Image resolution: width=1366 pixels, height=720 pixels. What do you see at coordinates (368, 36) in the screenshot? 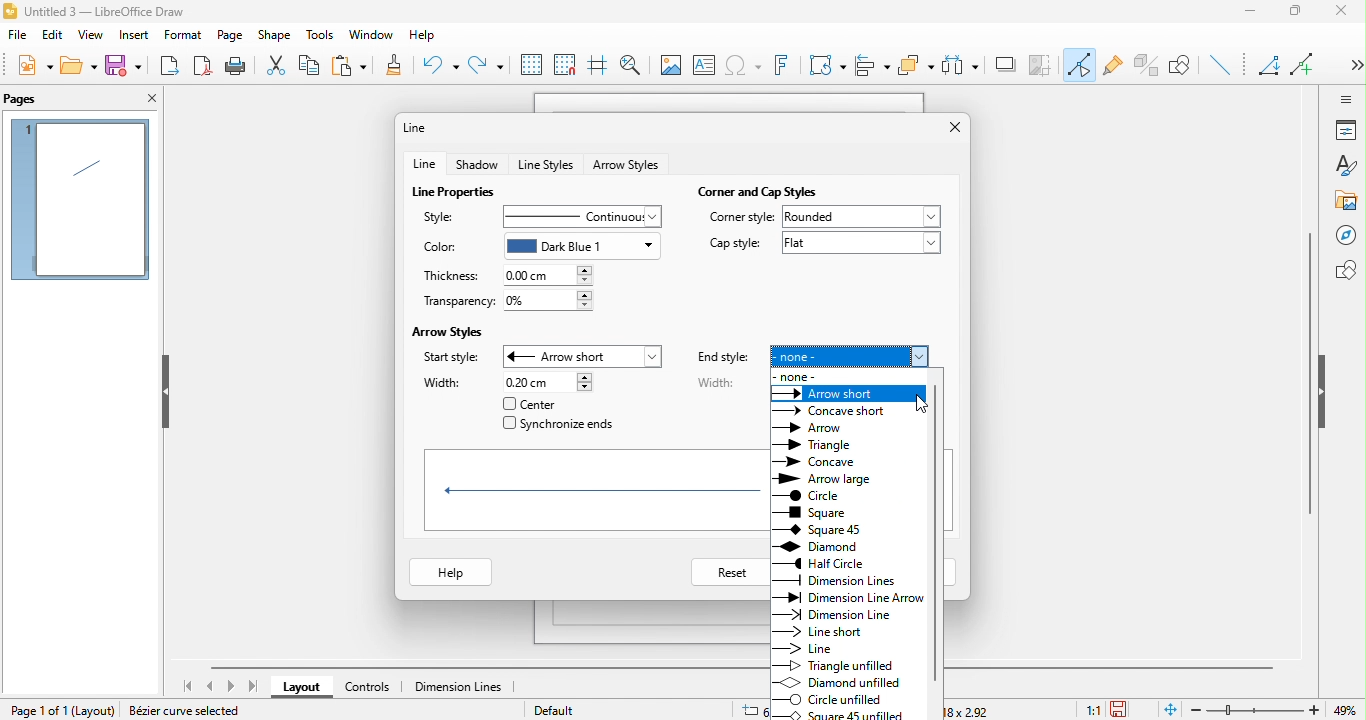
I see `window` at bounding box center [368, 36].